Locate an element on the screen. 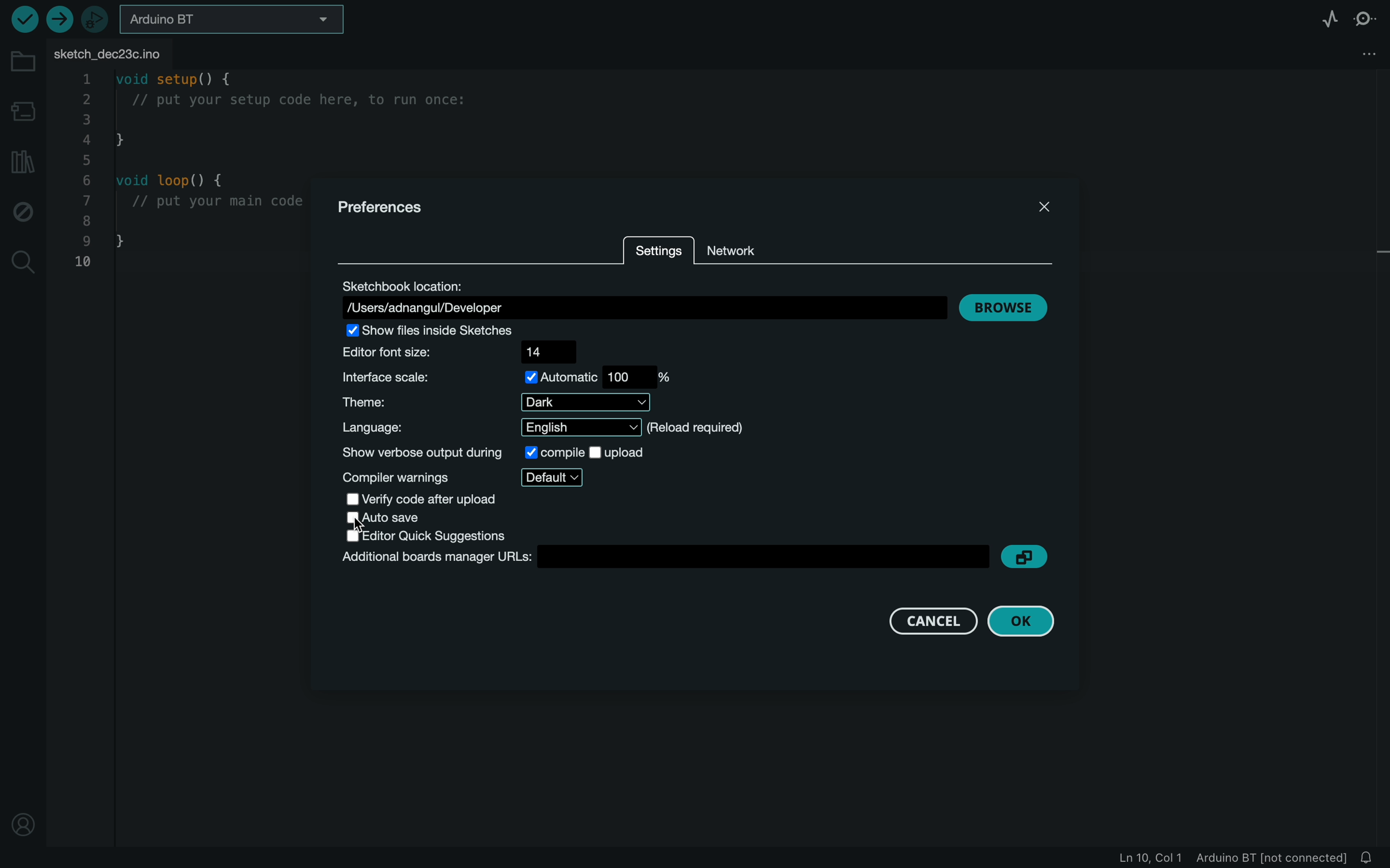 This screenshot has height=868, width=1390. ok is located at coordinates (1020, 623).